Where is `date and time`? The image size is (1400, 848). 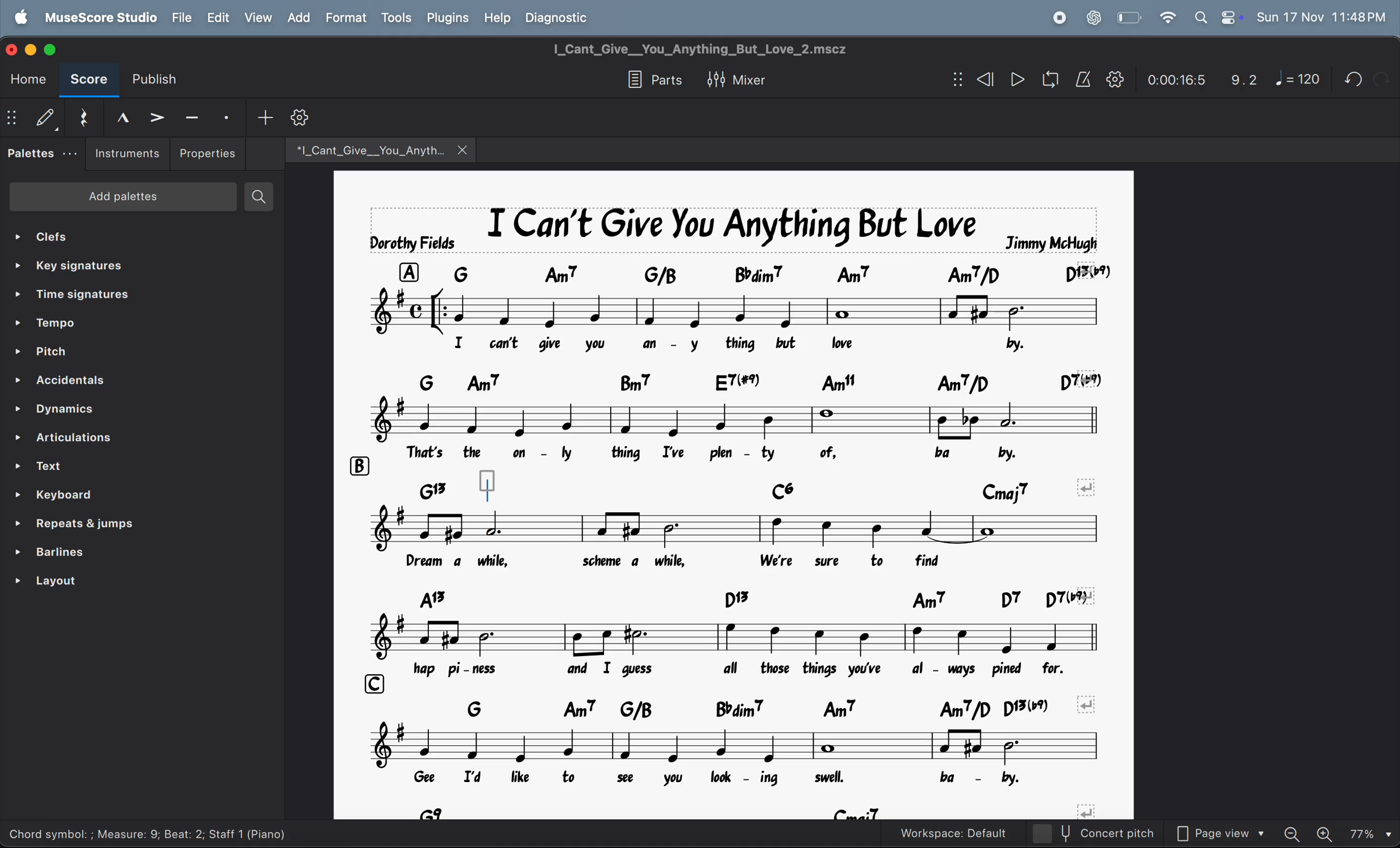 date and time is located at coordinates (1322, 16).